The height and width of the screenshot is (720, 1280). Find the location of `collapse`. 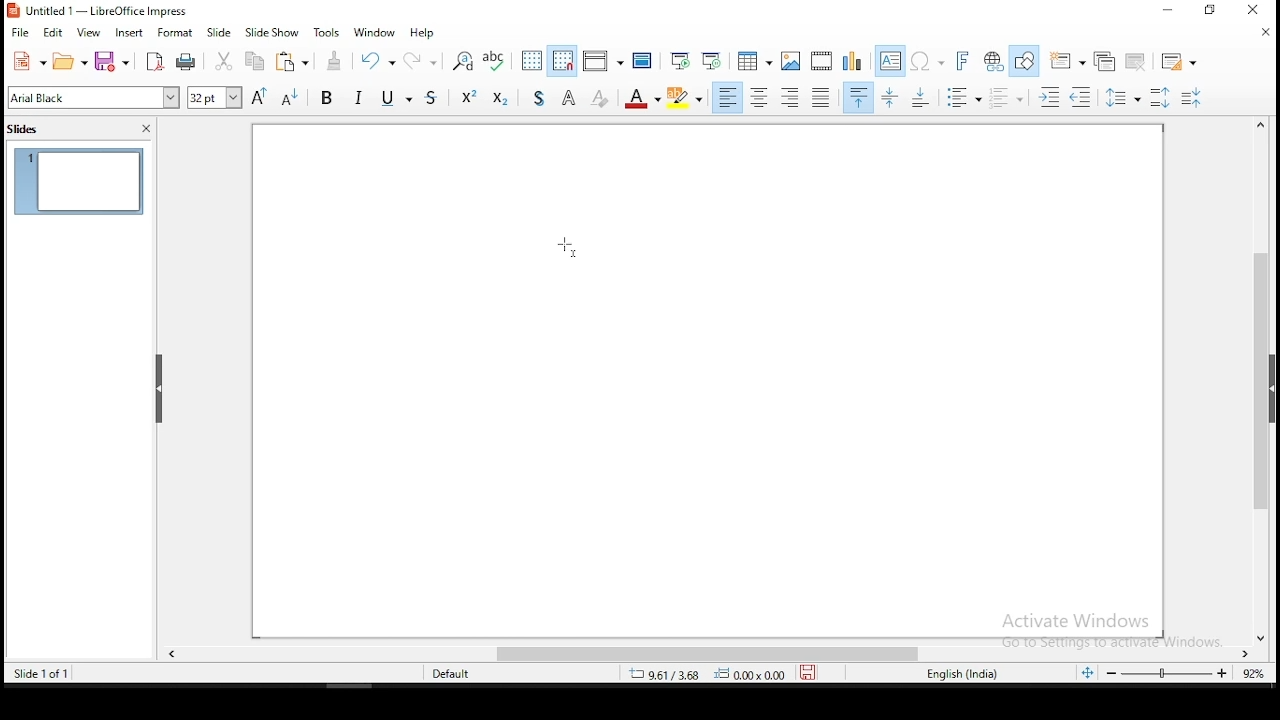

collapse is located at coordinates (160, 389).